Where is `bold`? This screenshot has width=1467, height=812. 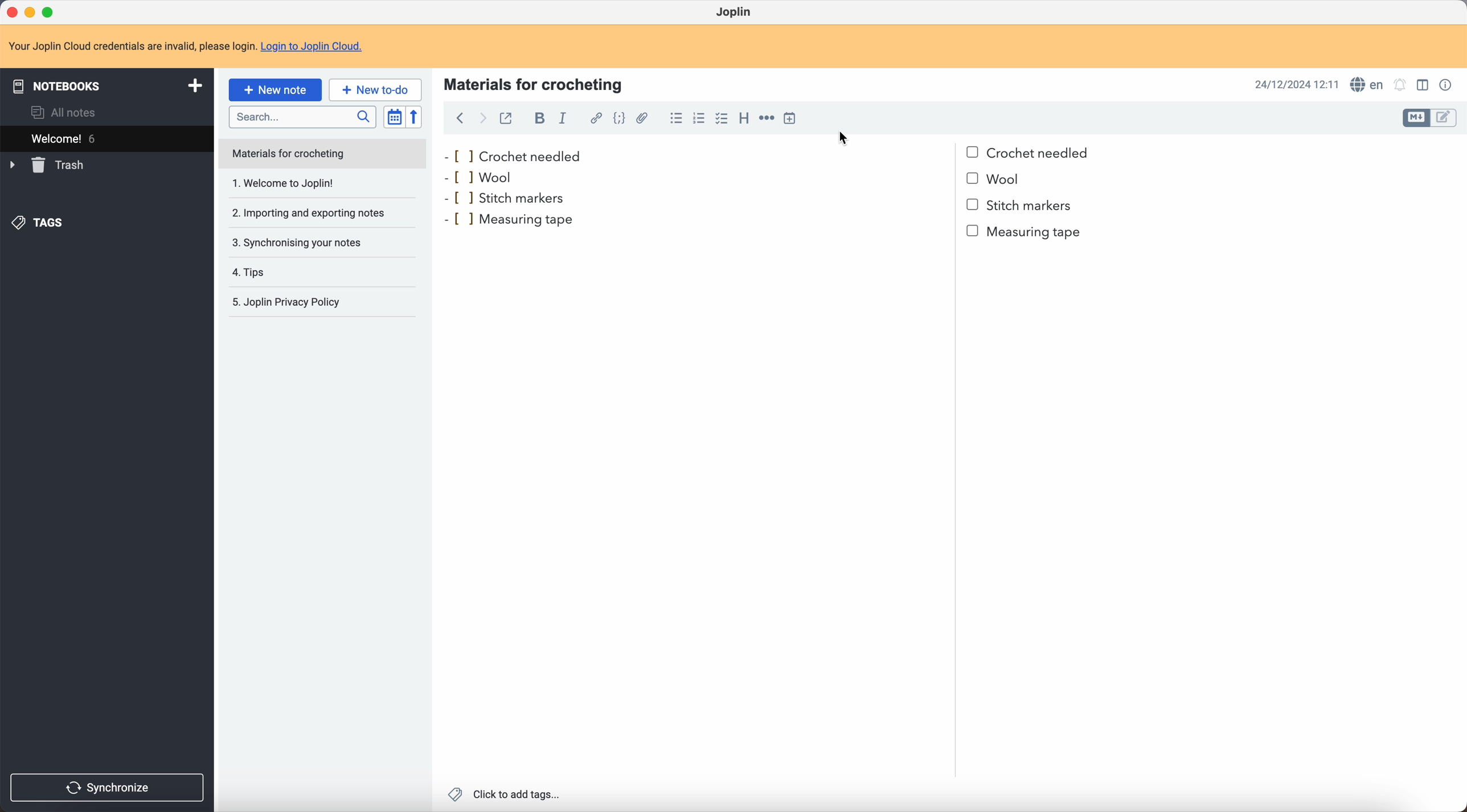
bold is located at coordinates (536, 118).